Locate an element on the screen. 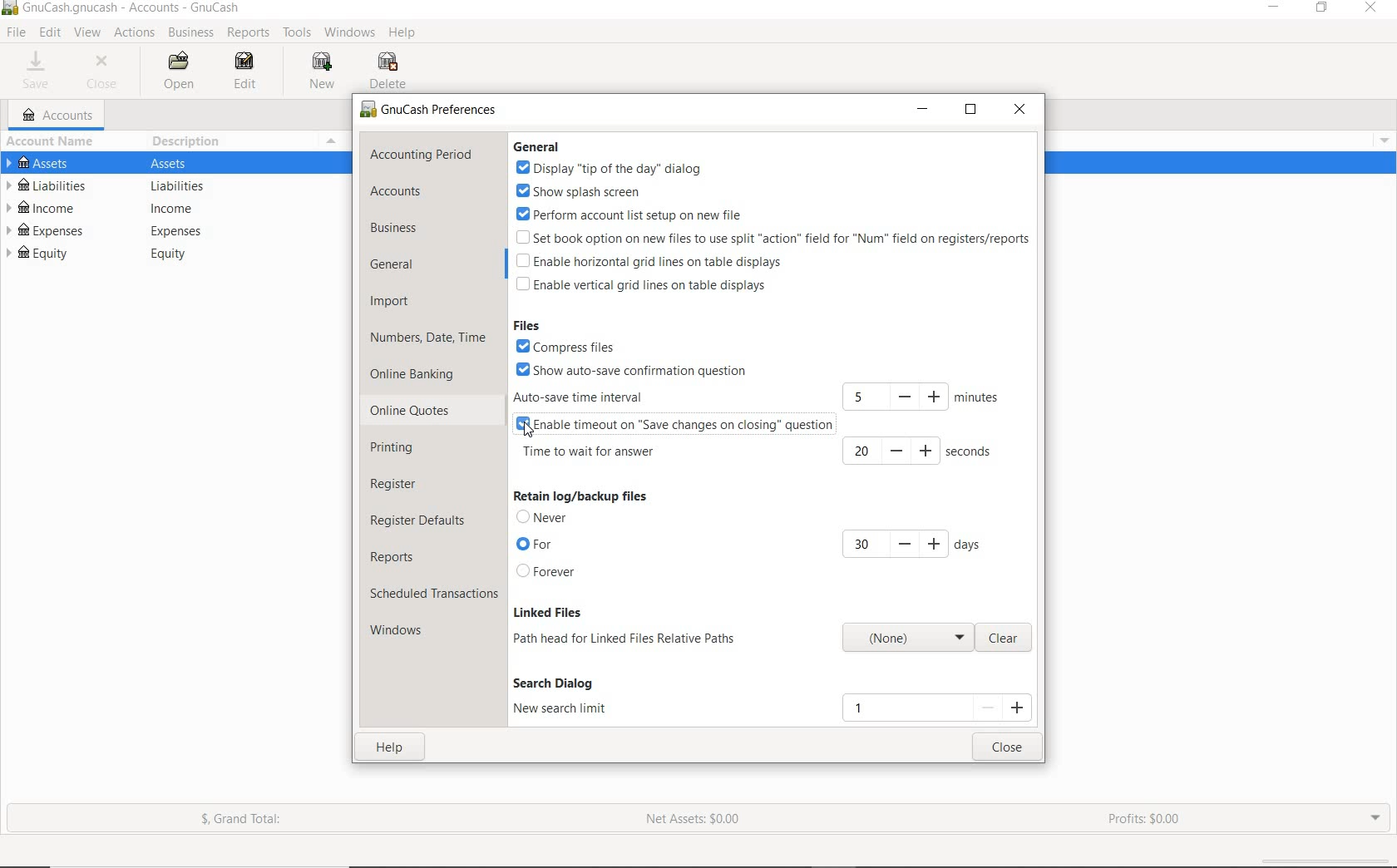  how many days to keep old log/backup files is located at coordinates (908, 544).